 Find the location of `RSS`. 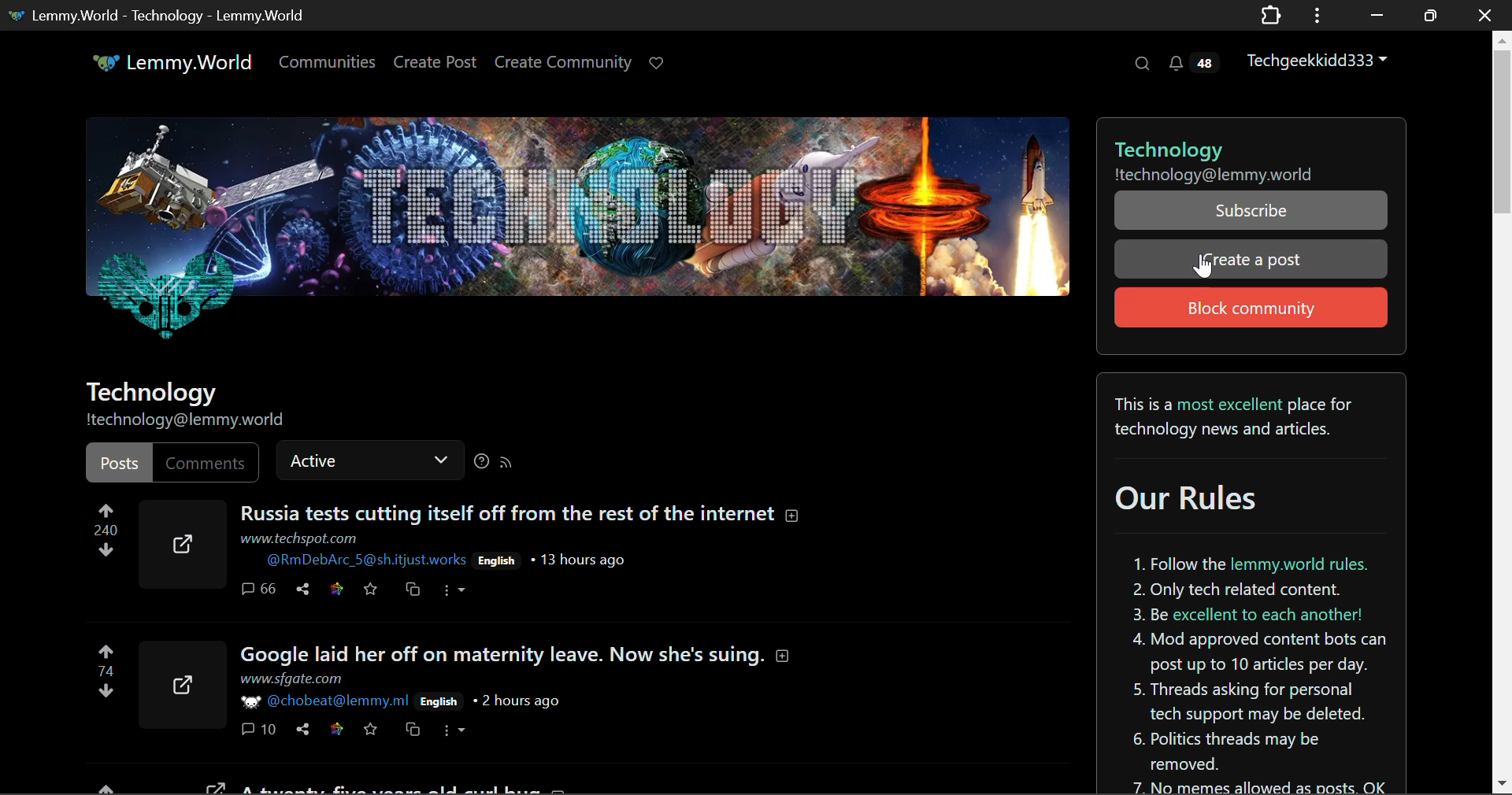

RSS is located at coordinates (506, 461).